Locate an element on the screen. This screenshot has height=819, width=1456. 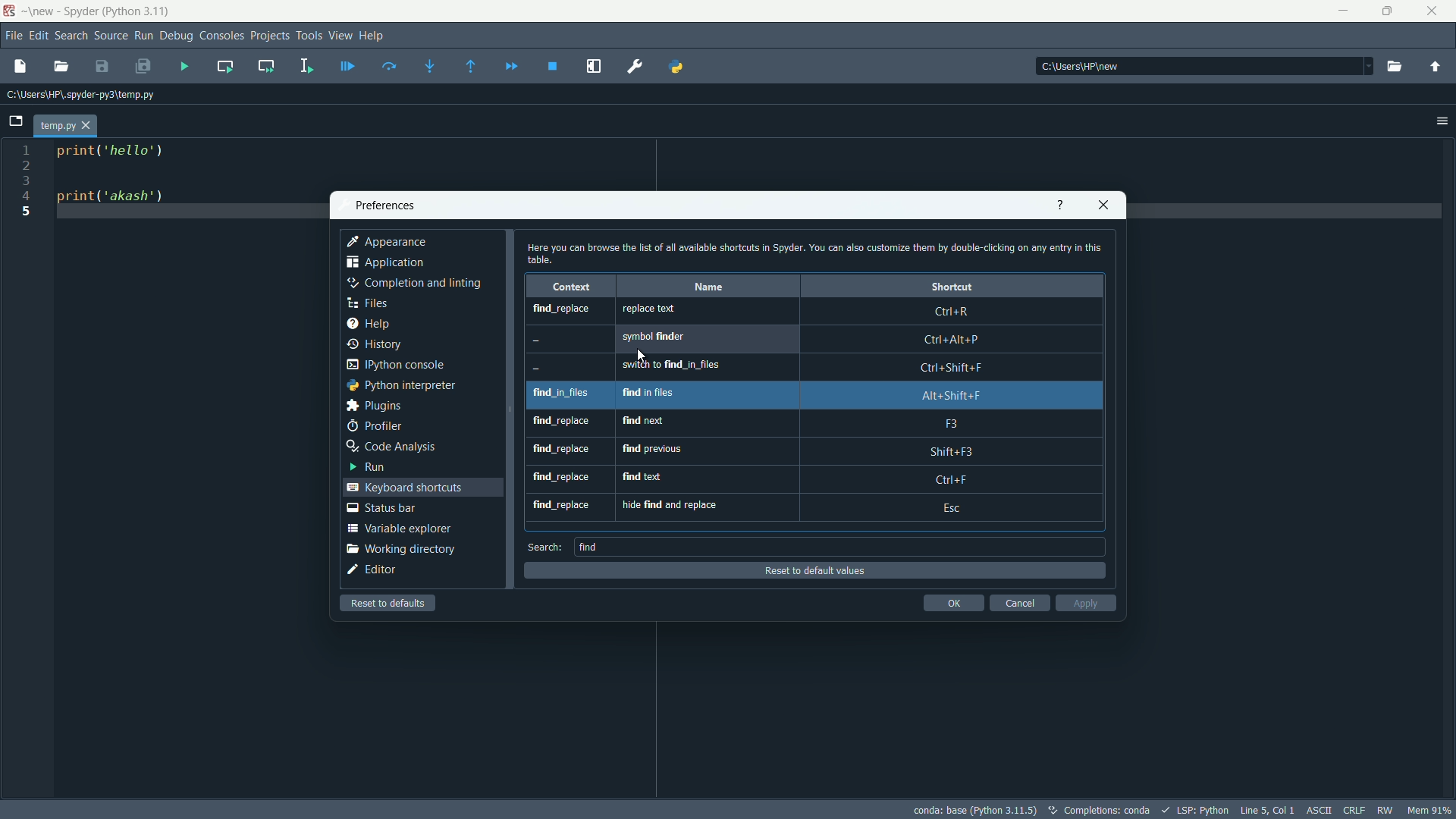
-, switch to find_in_files, ctrl+shift+f is located at coordinates (812, 367).